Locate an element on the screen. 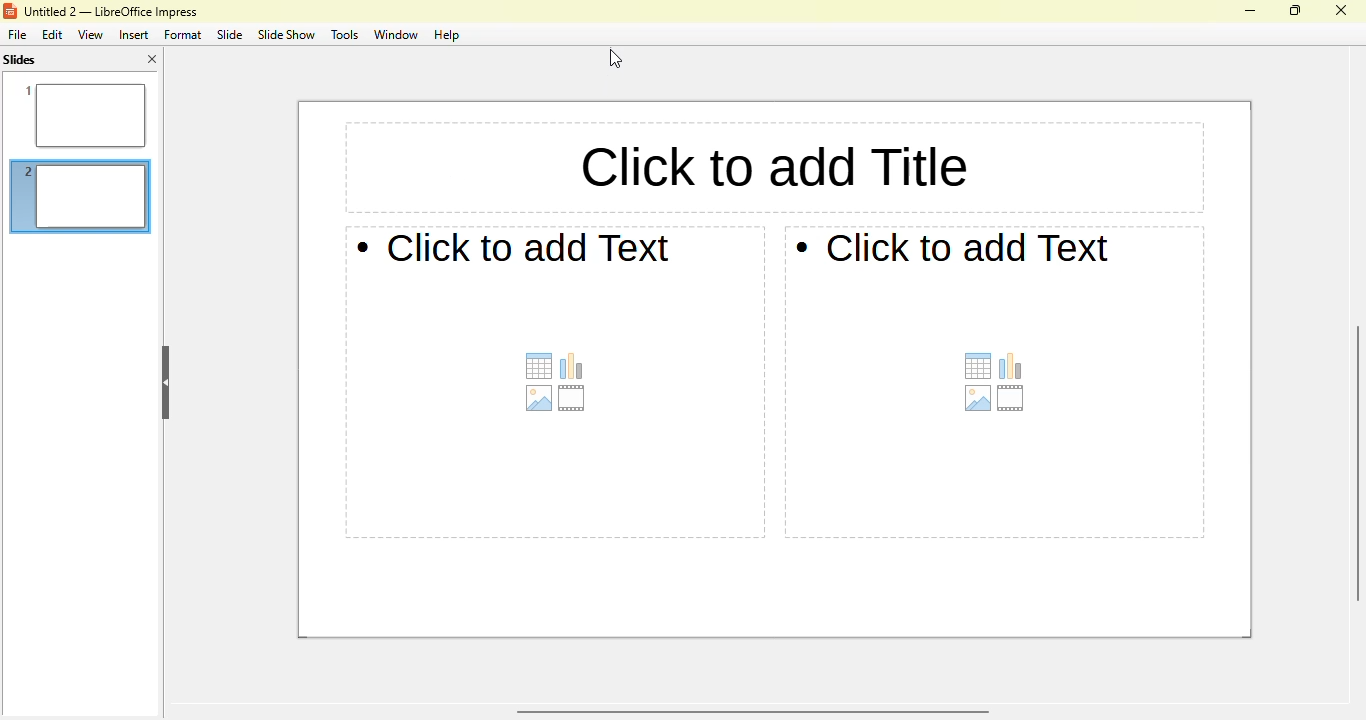 The width and height of the screenshot is (1366, 720). insert image is located at coordinates (538, 399).